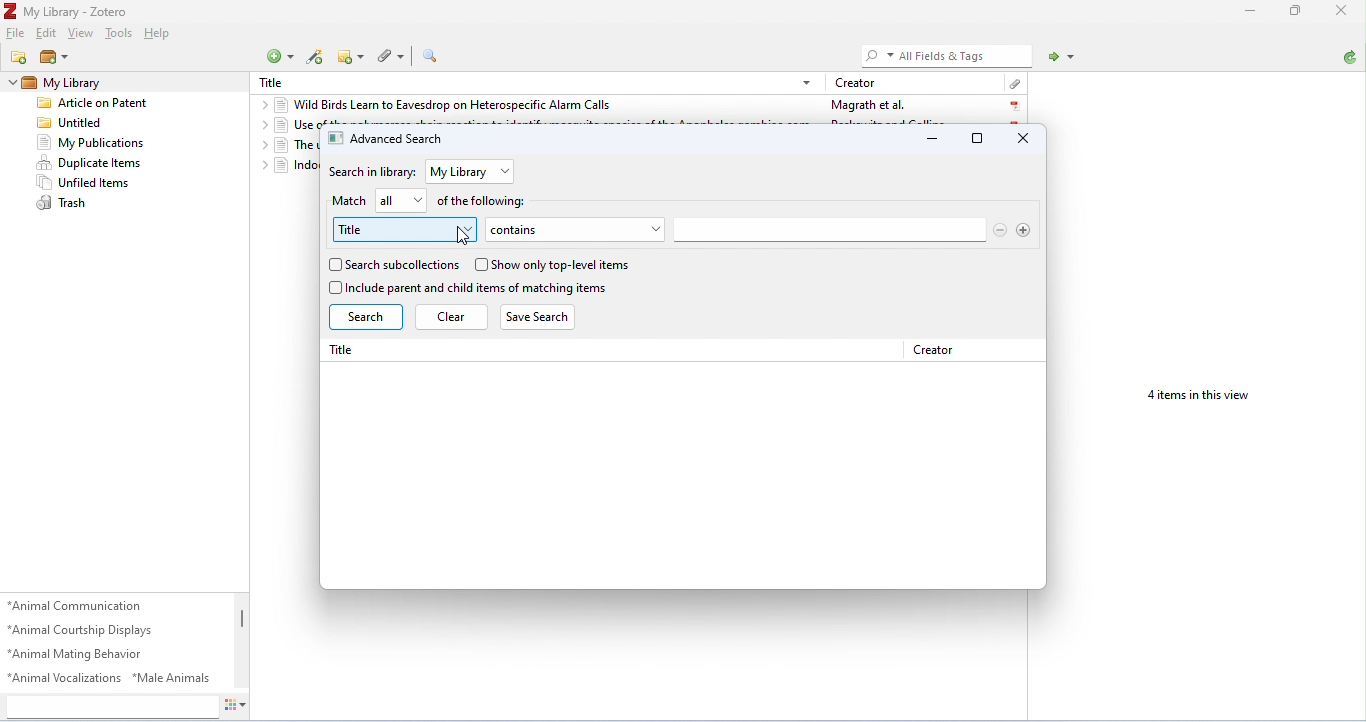 The height and width of the screenshot is (722, 1366). I want to click on drop-down, so click(808, 83).